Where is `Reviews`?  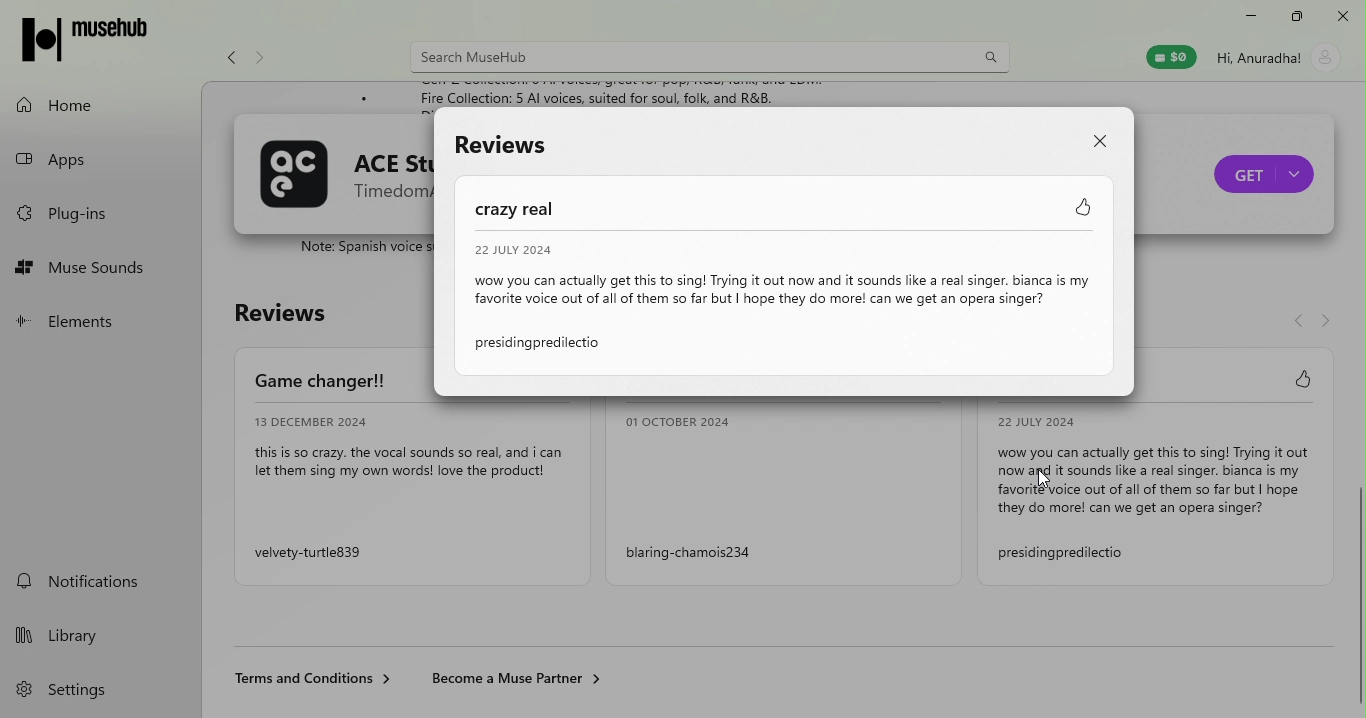 Reviews is located at coordinates (298, 314).